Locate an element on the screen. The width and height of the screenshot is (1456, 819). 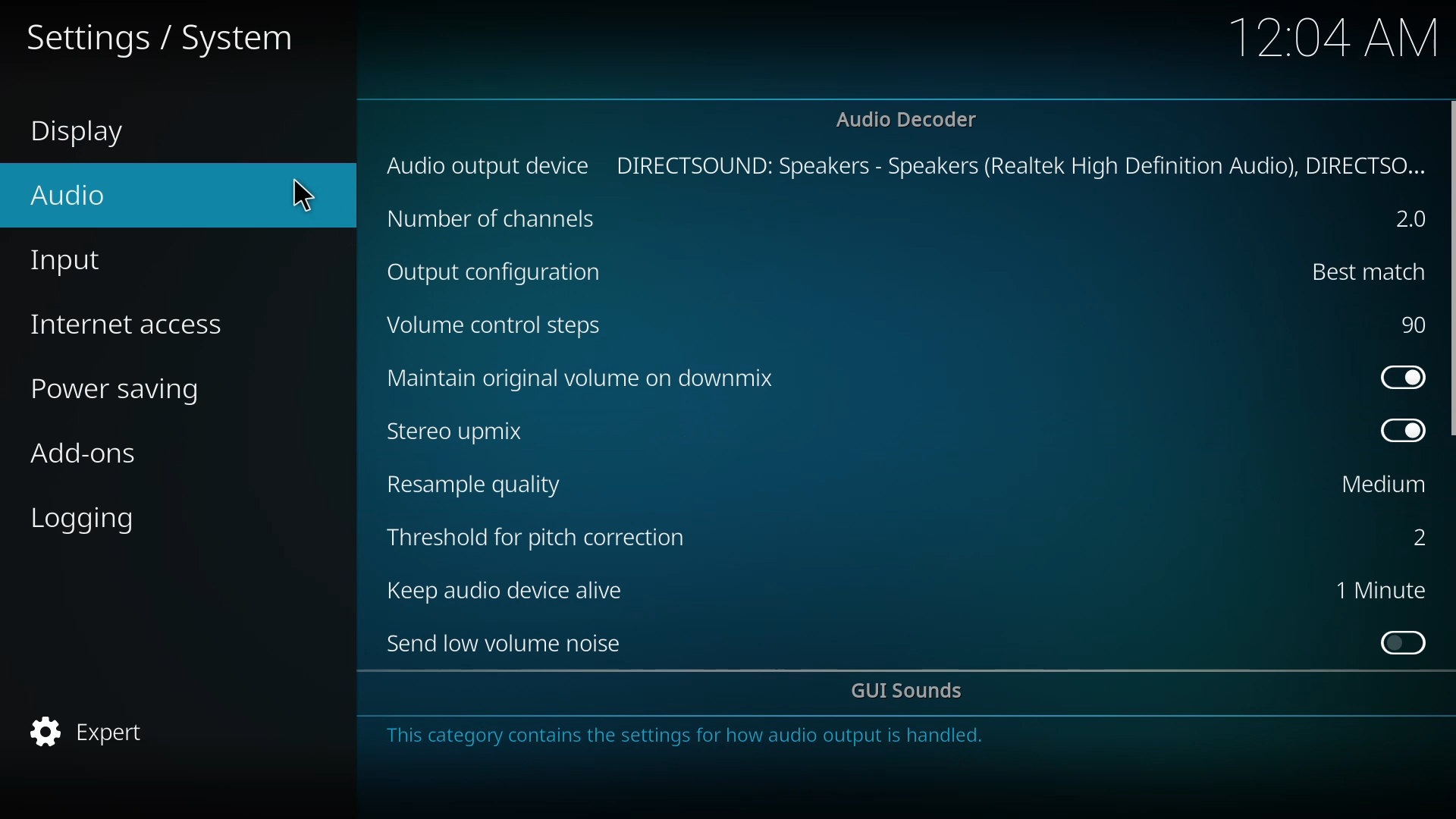
gui sounds is located at coordinates (911, 692).